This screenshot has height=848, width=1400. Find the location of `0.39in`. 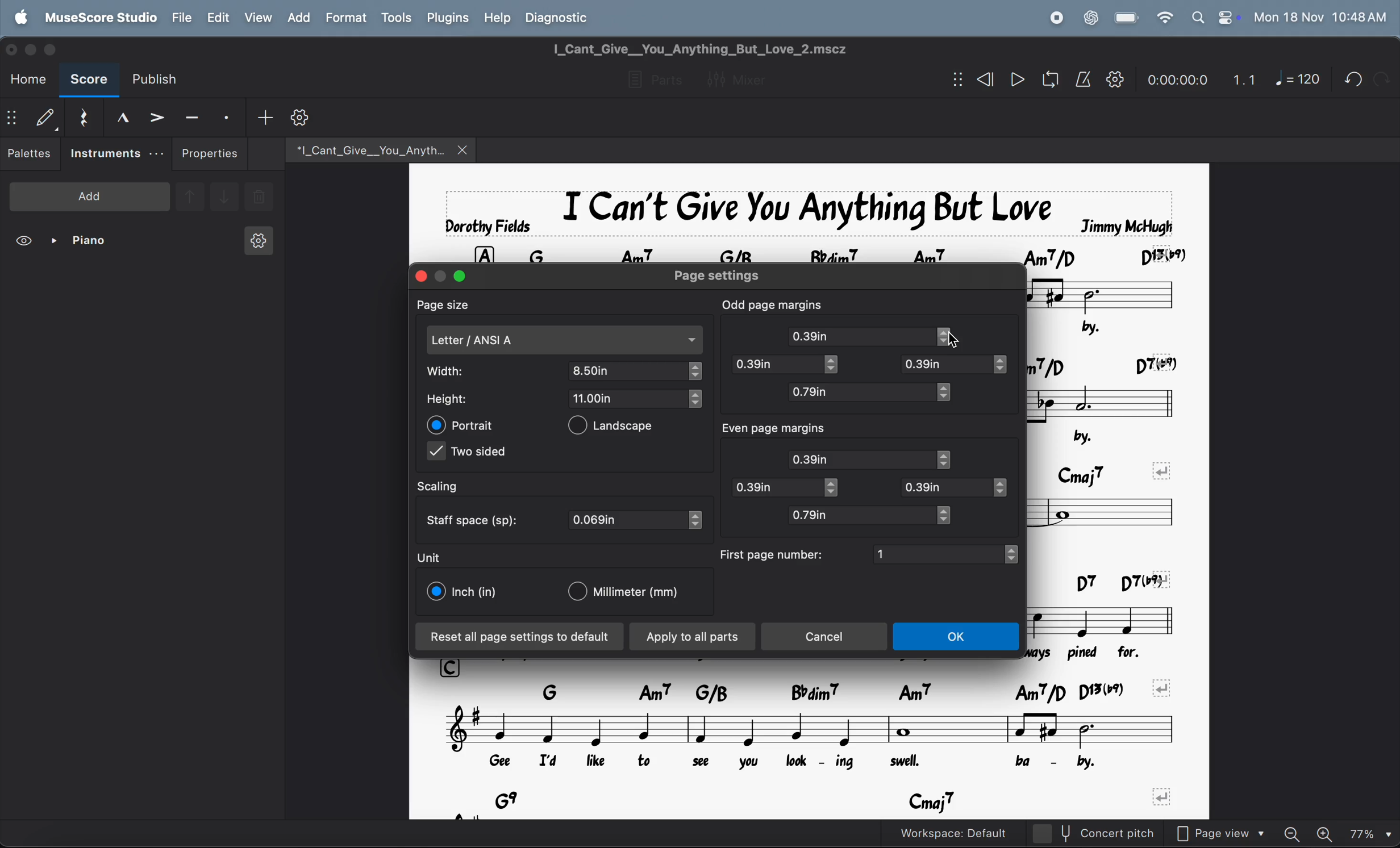

0.39in is located at coordinates (774, 487).